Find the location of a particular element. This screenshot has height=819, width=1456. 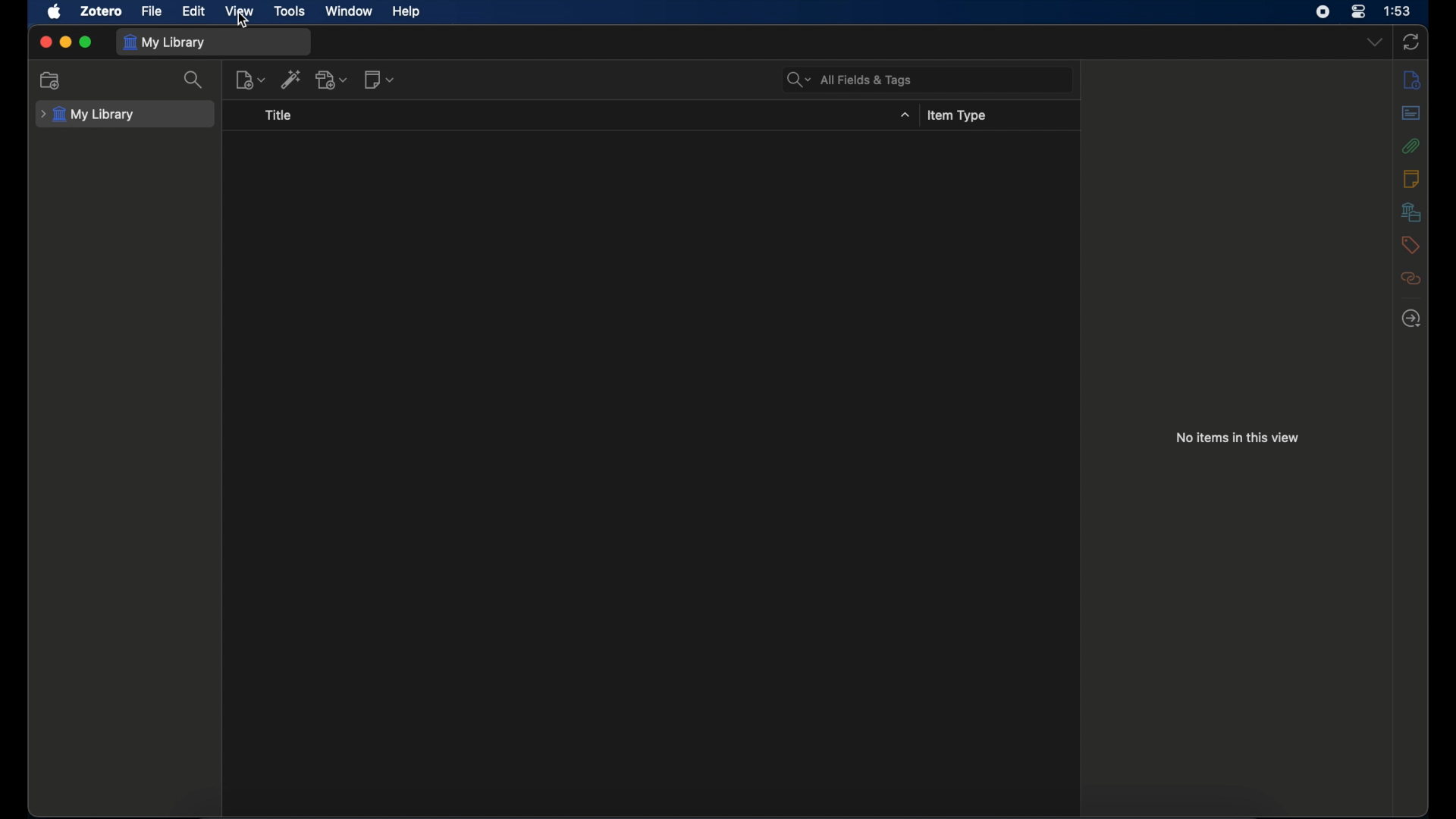

notes is located at coordinates (1410, 178).